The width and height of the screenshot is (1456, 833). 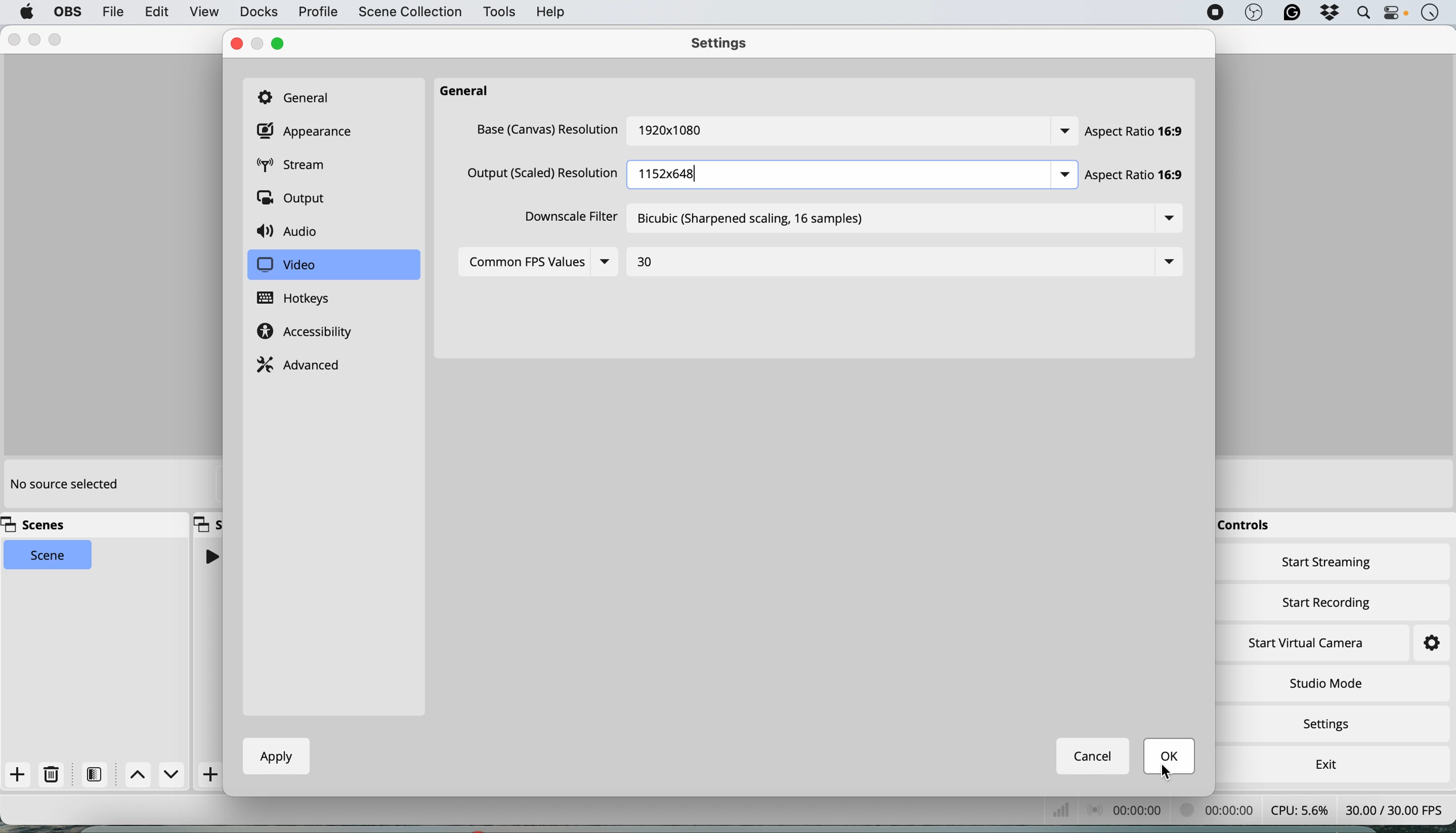 What do you see at coordinates (566, 217) in the screenshot?
I see `downscale filter` at bounding box center [566, 217].